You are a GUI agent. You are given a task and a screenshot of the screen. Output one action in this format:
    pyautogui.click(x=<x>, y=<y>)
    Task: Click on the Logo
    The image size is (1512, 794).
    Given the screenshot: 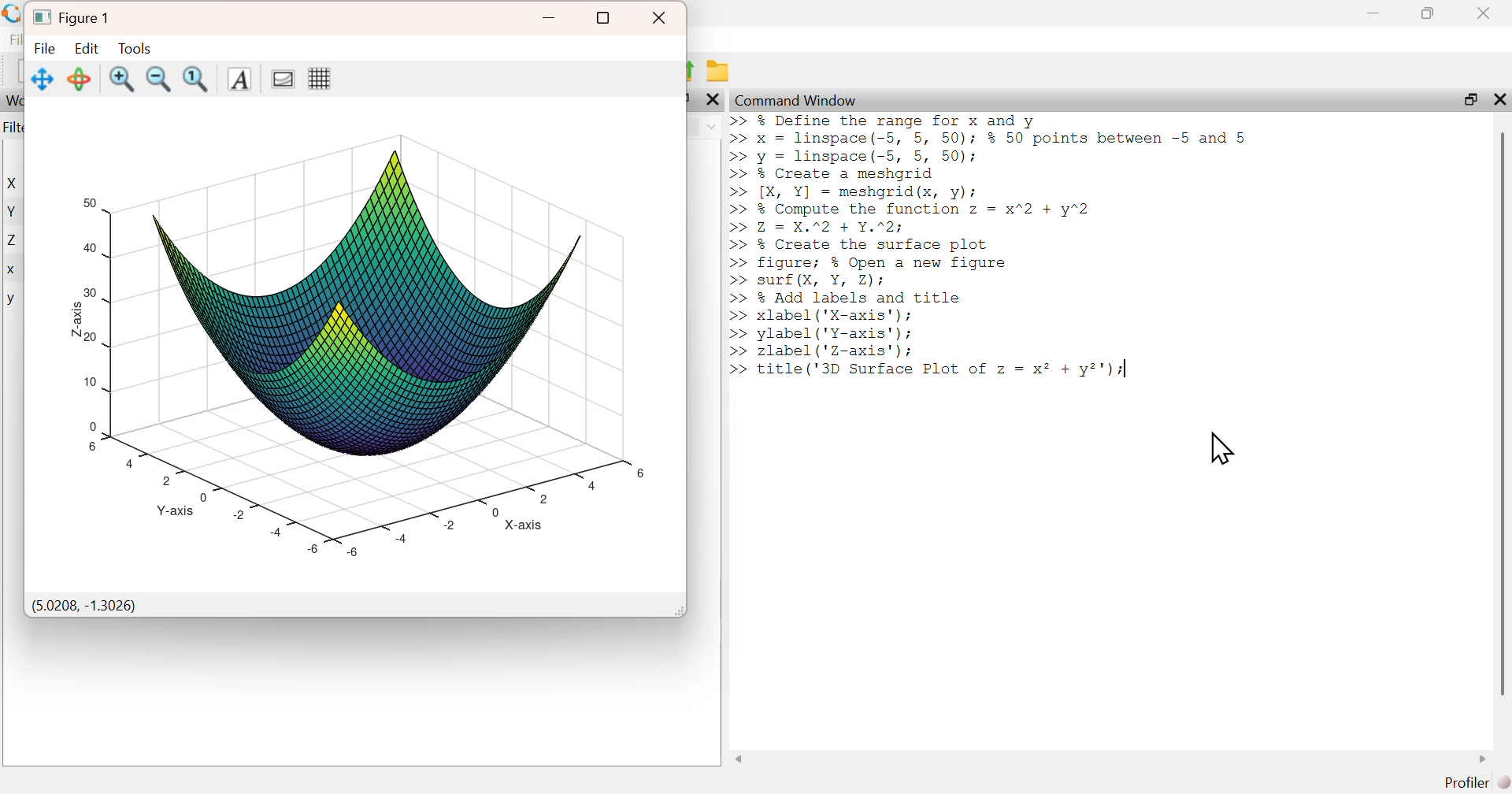 What is the action you would take?
    pyautogui.click(x=13, y=14)
    